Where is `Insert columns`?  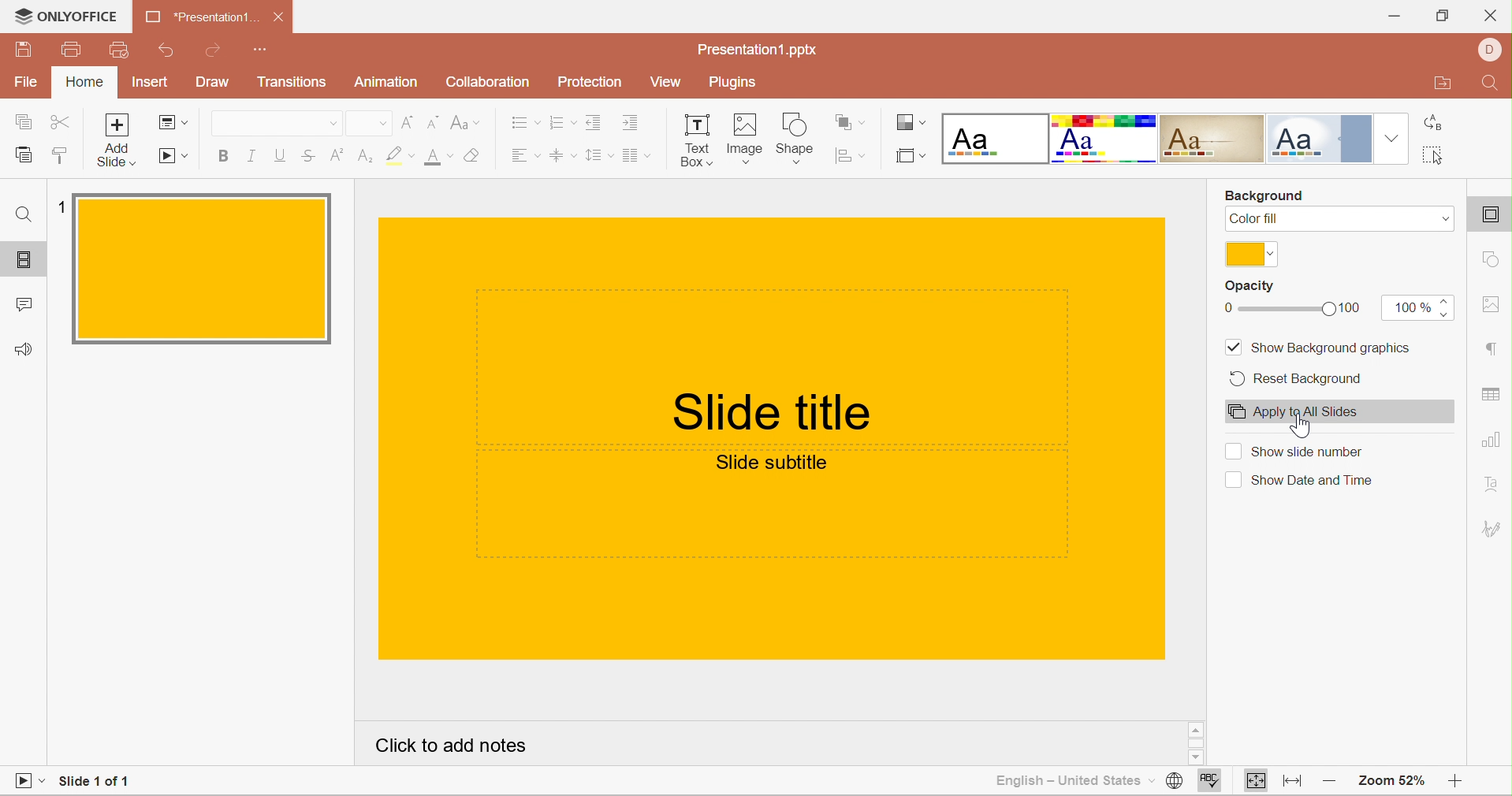 Insert columns is located at coordinates (639, 156).